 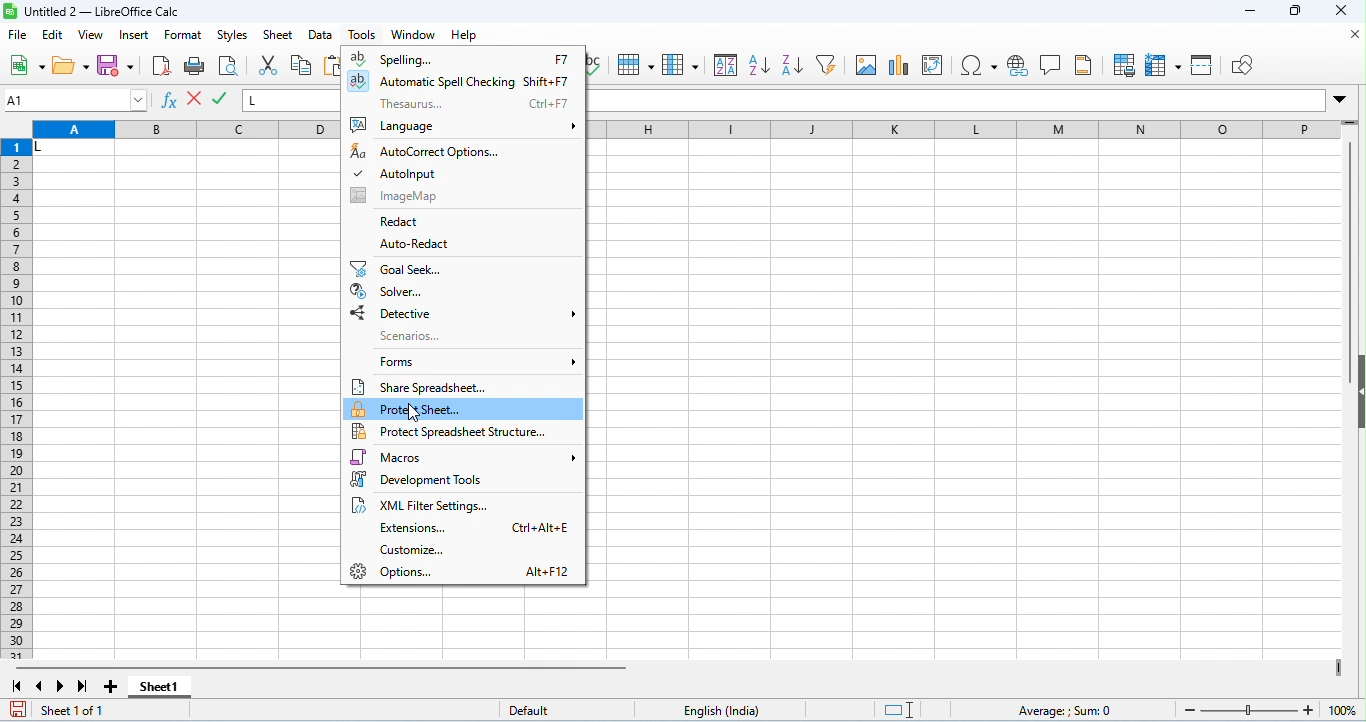 What do you see at coordinates (635, 65) in the screenshot?
I see `row` at bounding box center [635, 65].